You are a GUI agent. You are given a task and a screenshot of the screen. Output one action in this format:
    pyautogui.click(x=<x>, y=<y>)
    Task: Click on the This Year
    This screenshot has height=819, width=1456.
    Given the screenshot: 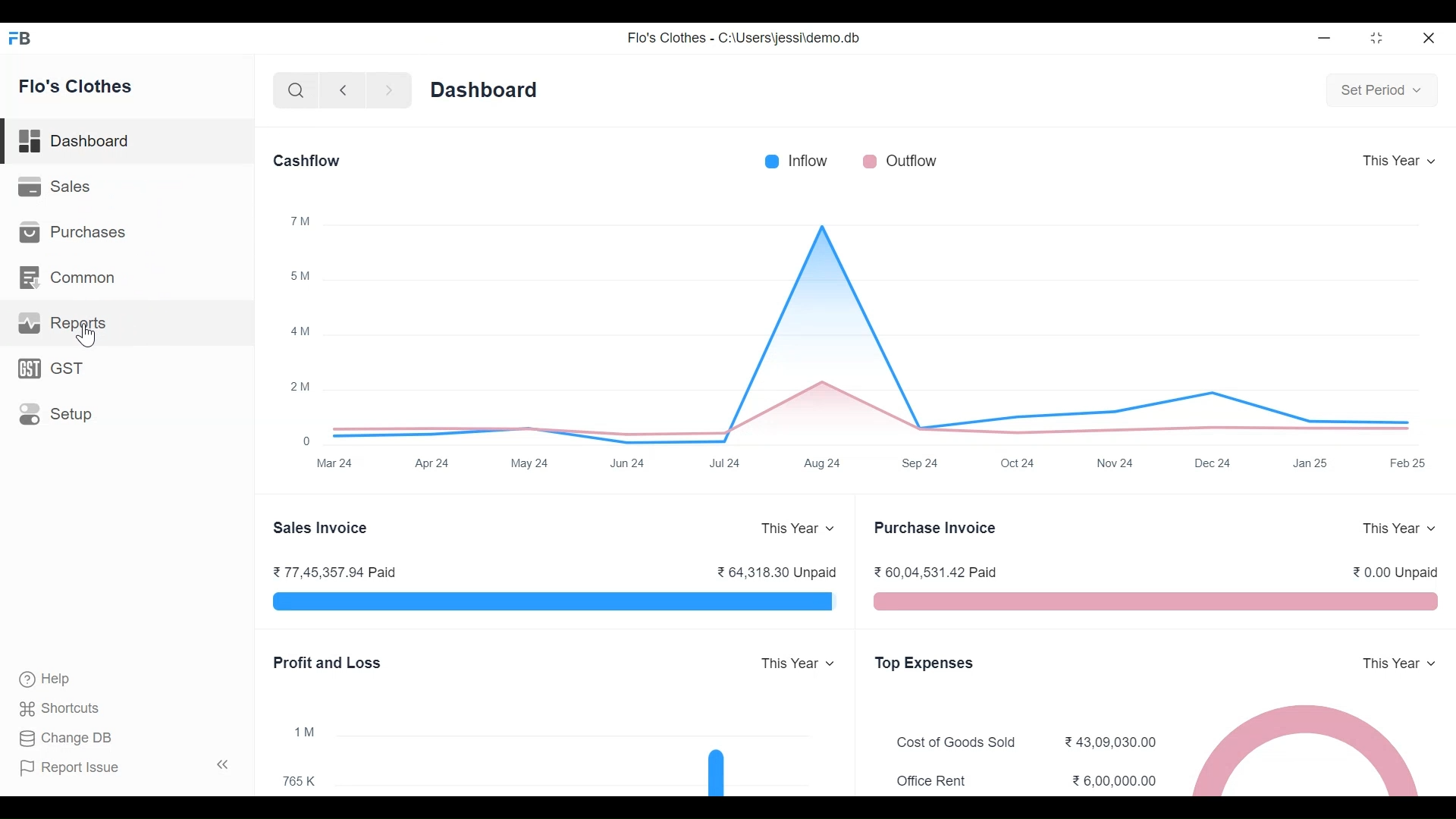 What is the action you would take?
    pyautogui.click(x=788, y=529)
    